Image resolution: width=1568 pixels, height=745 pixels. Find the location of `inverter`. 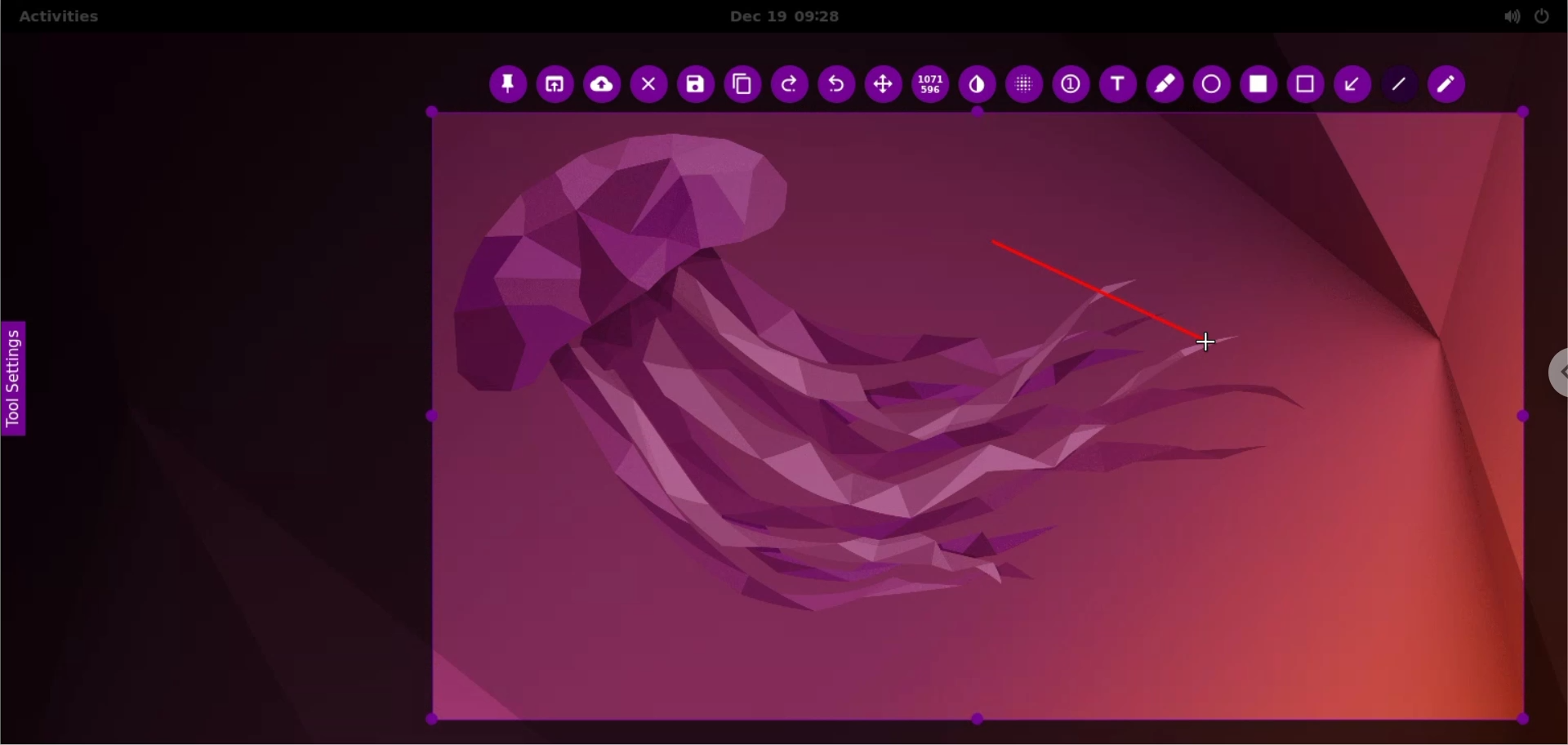

inverter is located at coordinates (976, 85).